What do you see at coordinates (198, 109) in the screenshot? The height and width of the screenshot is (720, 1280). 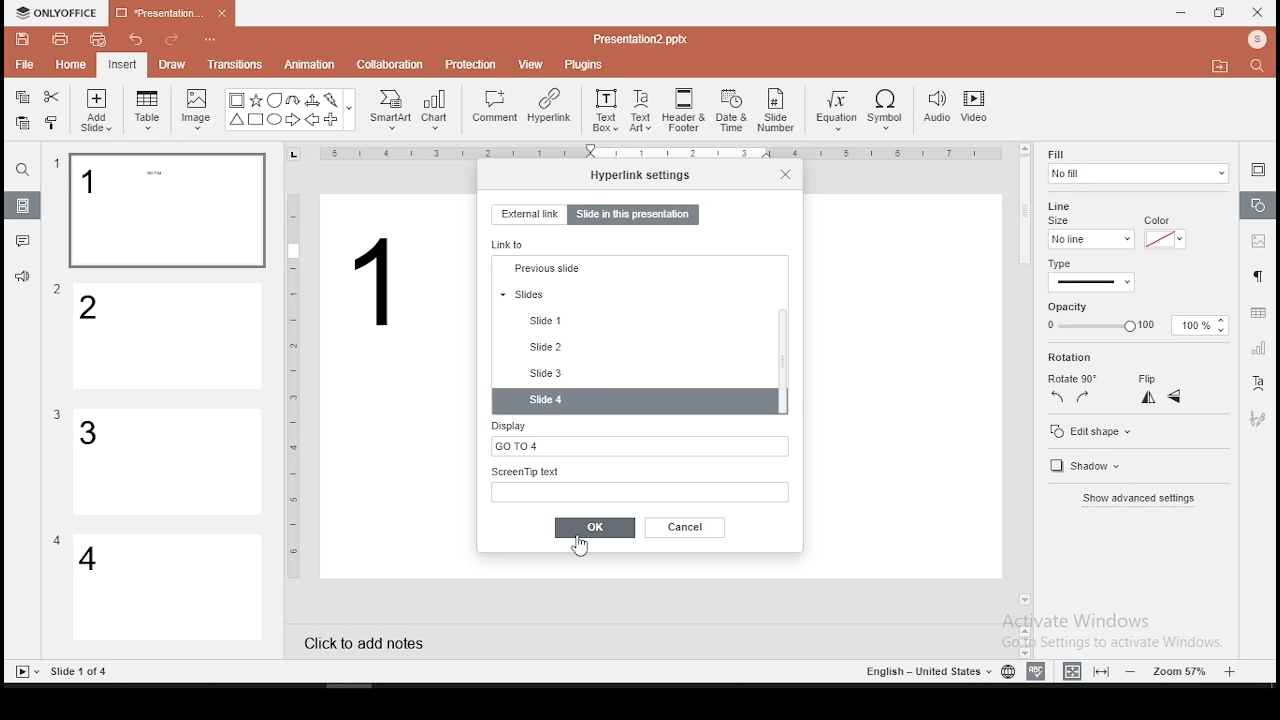 I see `image` at bounding box center [198, 109].